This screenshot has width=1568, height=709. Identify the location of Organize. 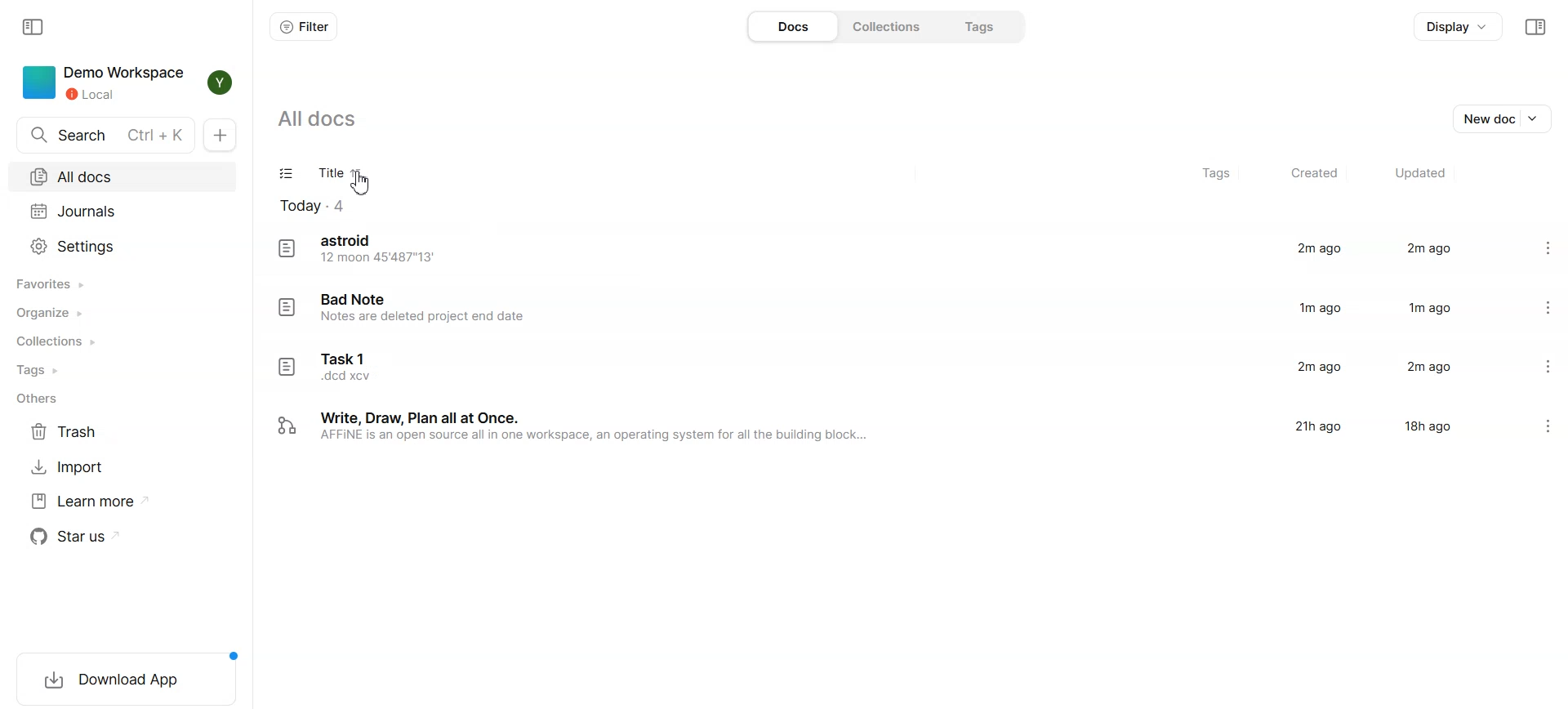
(69, 313).